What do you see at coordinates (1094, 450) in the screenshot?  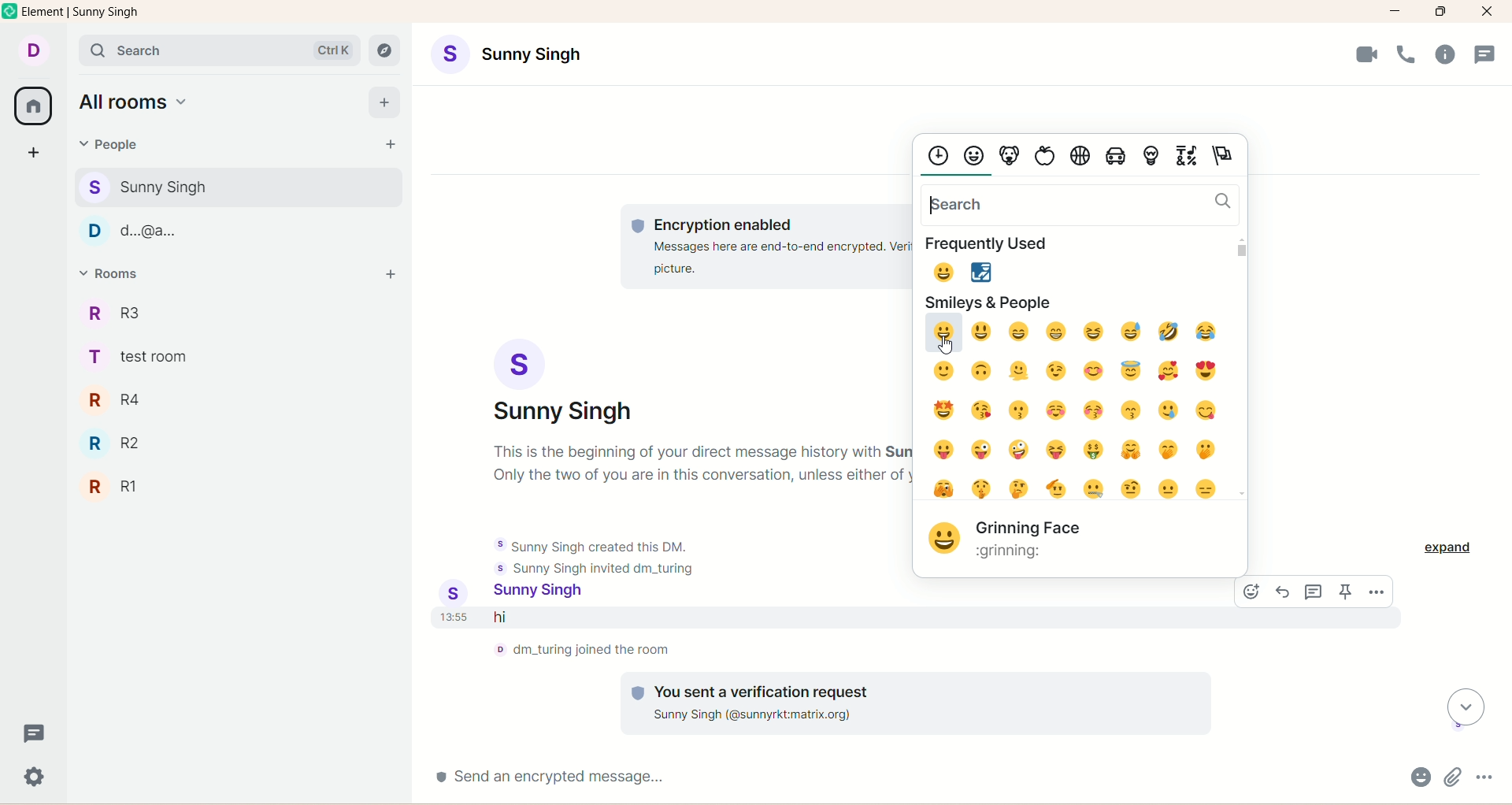 I see `Money mouth face` at bounding box center [1094, 450].